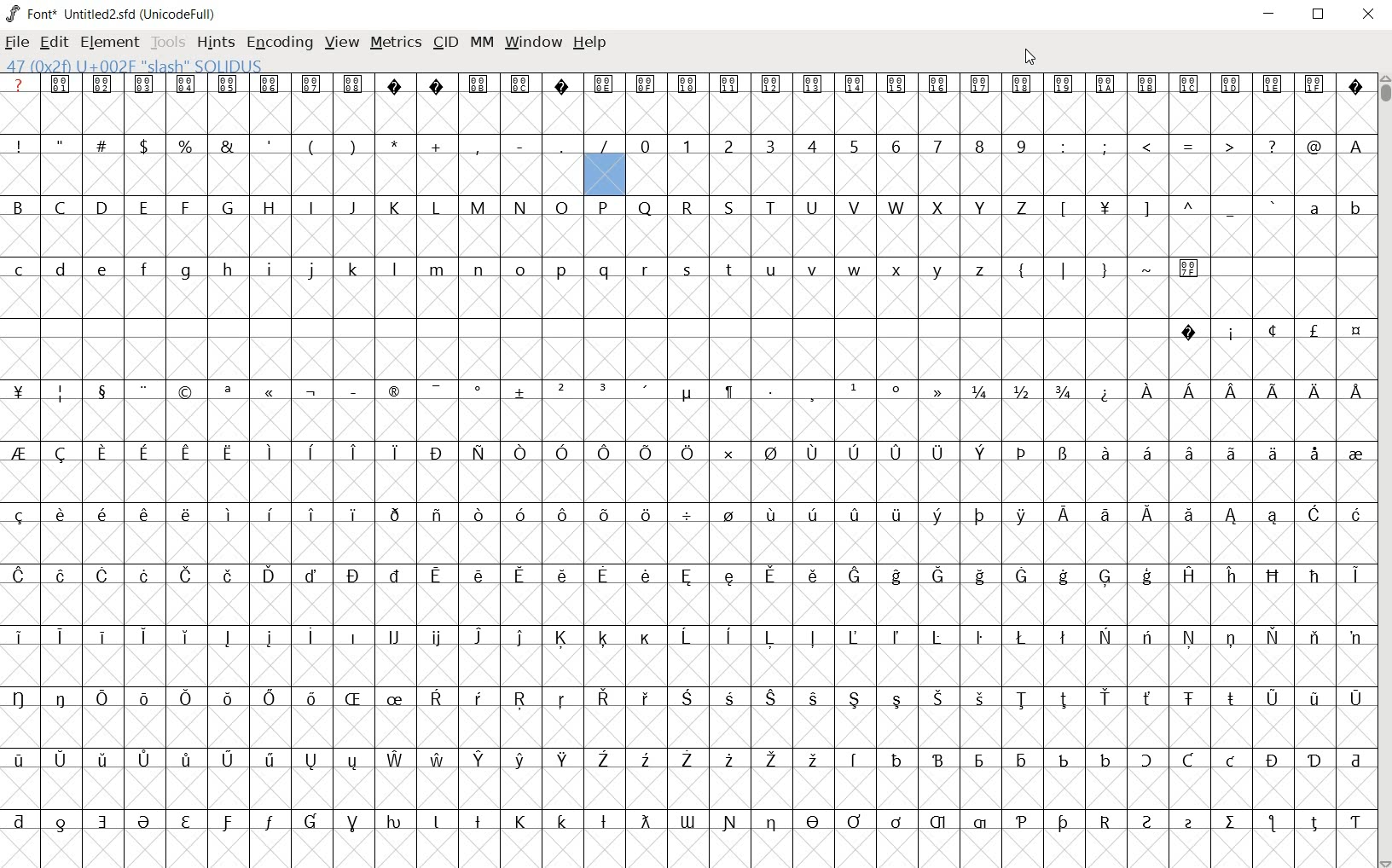 This screenshot has height=868, width=1392. What do you see at coordinates (687, 664) in the screenshot?
I see `empty cells` at bounding box center [687, 664].